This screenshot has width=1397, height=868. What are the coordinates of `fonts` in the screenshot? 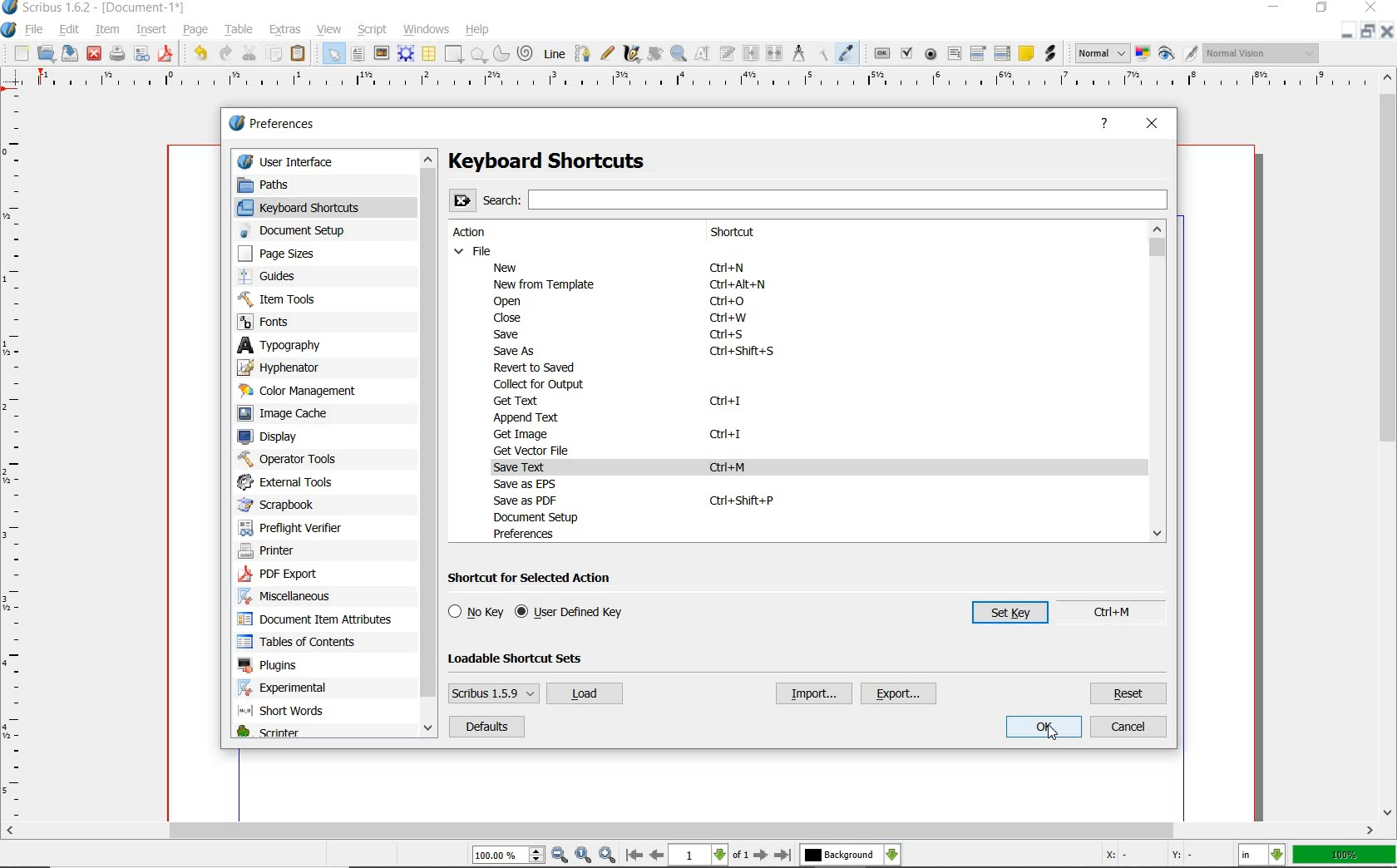 It's located at (282, 323).